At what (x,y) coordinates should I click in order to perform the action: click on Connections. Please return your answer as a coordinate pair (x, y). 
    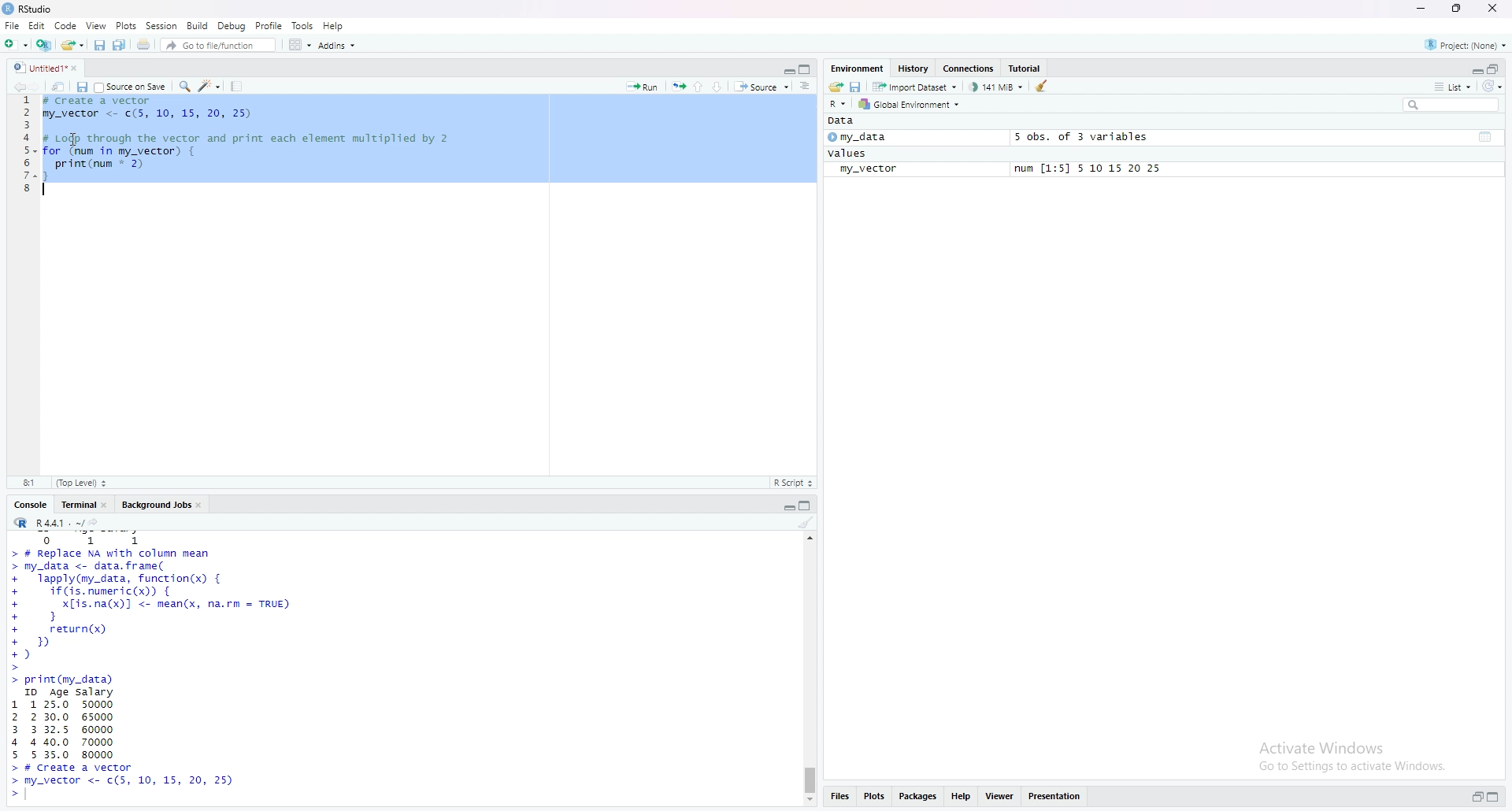
    Looking at the image, I should click on (972, 68).